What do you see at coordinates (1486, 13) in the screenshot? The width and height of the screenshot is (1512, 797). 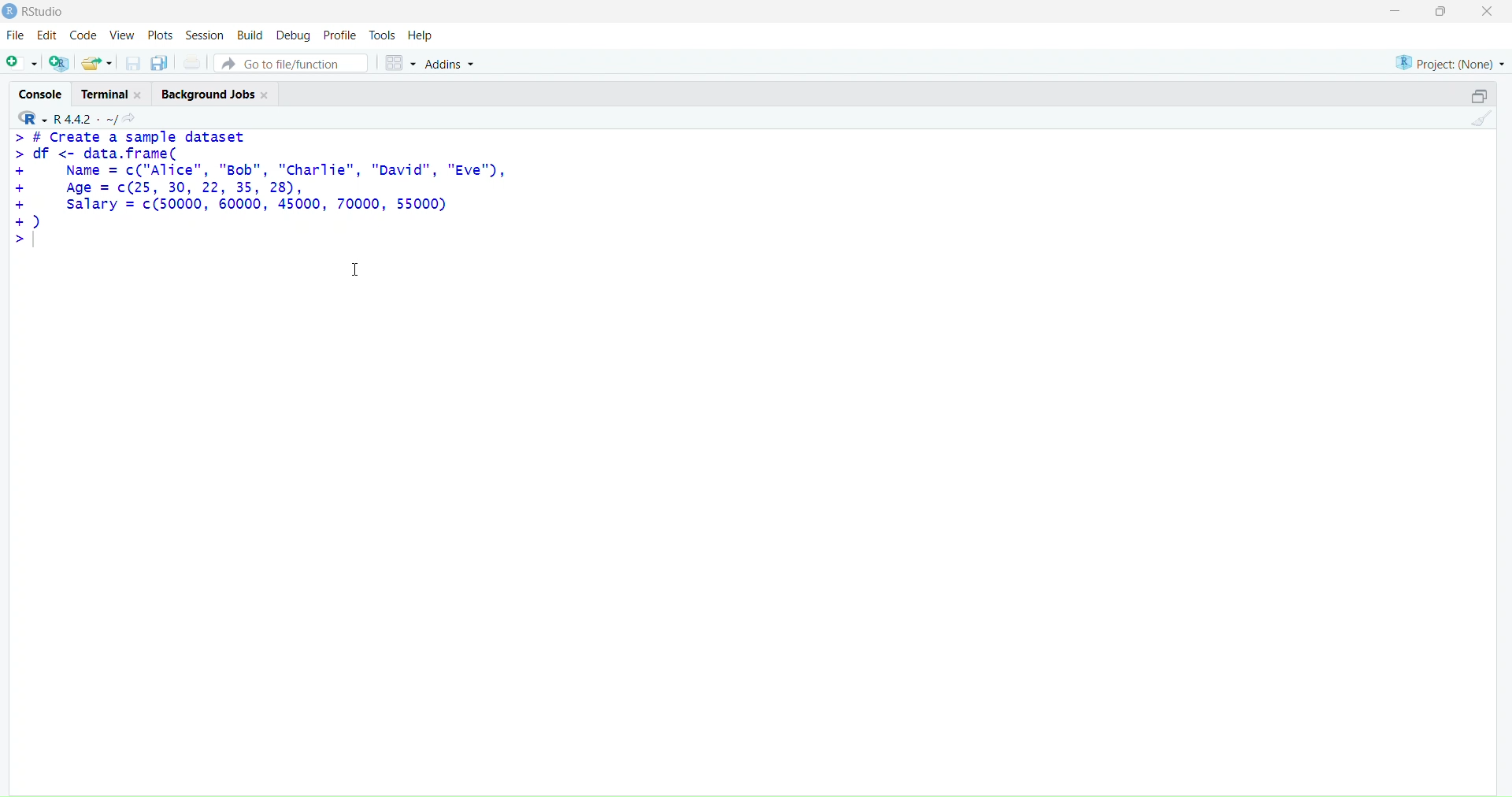 I see `close` at bounding box center [1486, 13].